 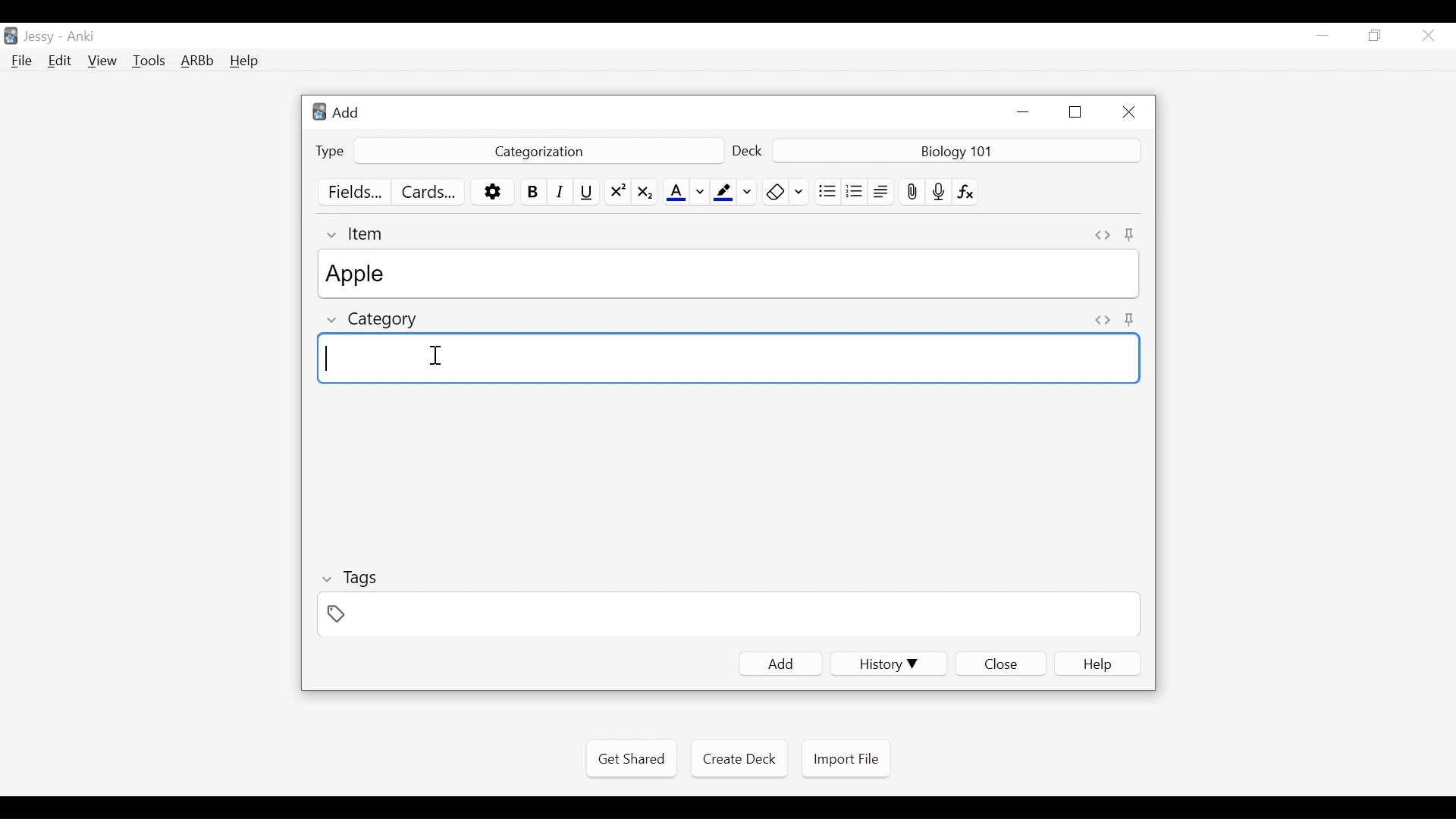 What do you see at coordinates (731, 274) in the screenshot?
I see `Item Field` at bounding box center [731, 274].